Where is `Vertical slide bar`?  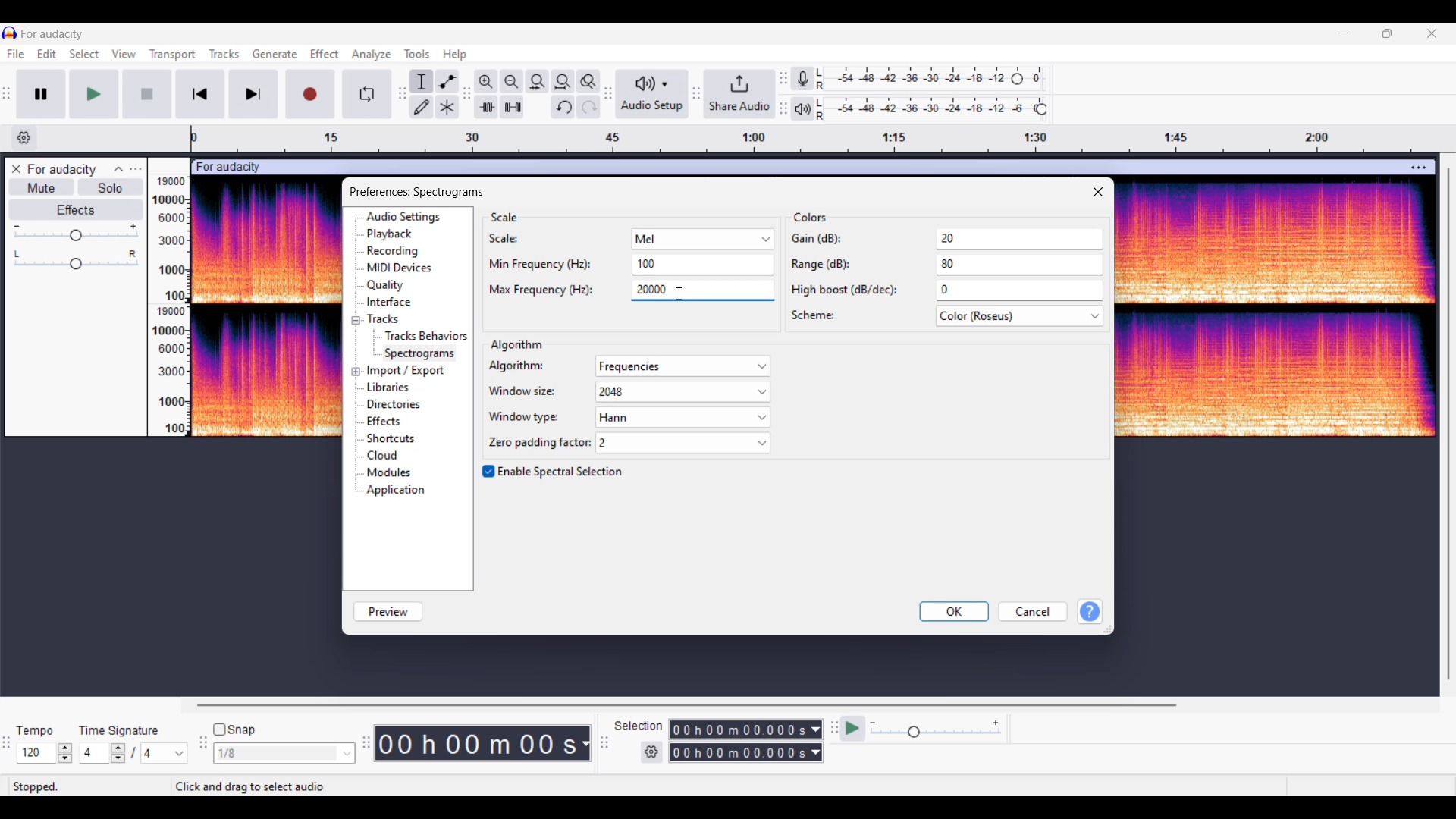
Vertical slide bar is located at coordinates (1449, 423).